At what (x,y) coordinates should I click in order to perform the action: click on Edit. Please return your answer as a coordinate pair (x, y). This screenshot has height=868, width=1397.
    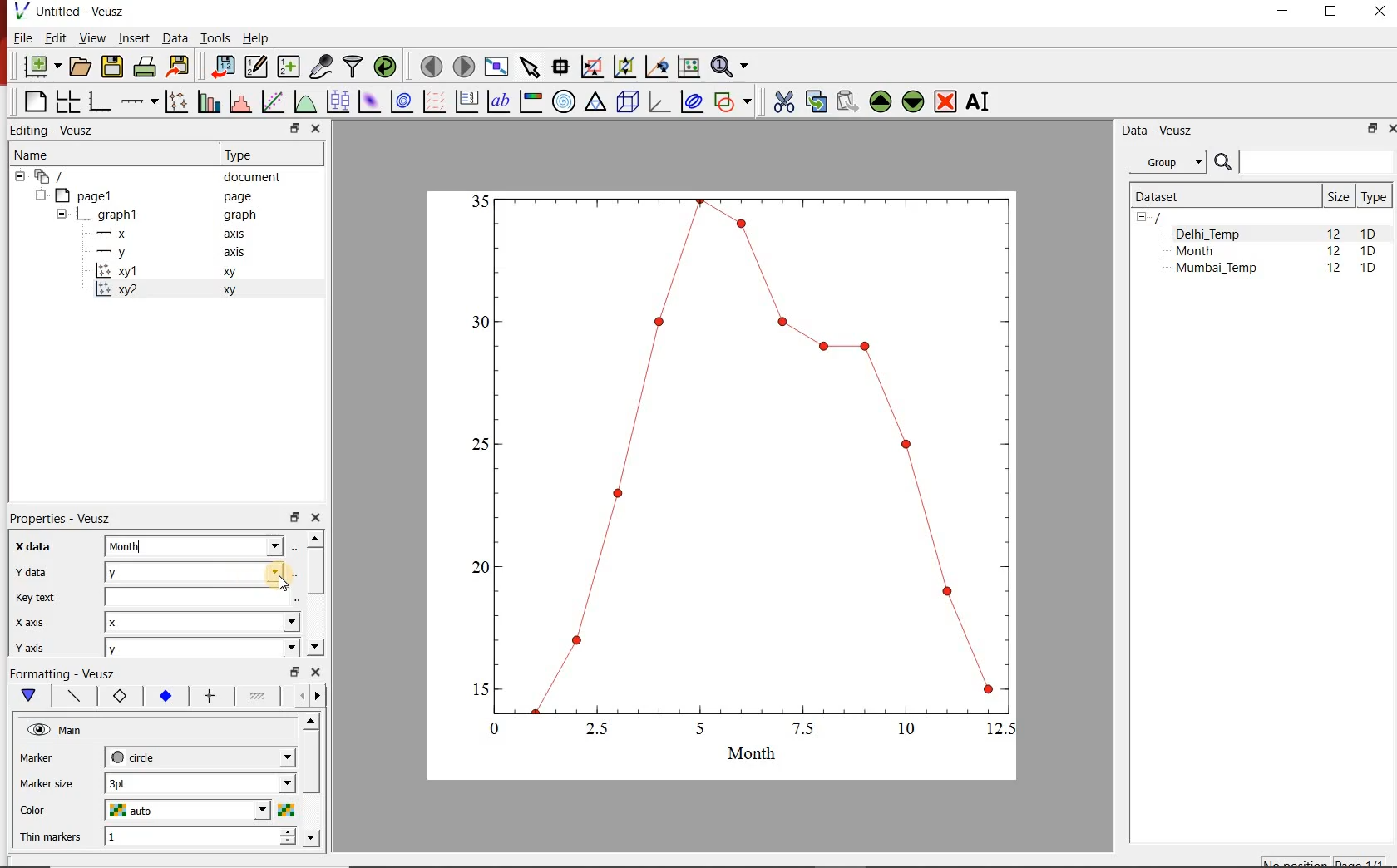
    Looking at the image, I should click on (54, 37).